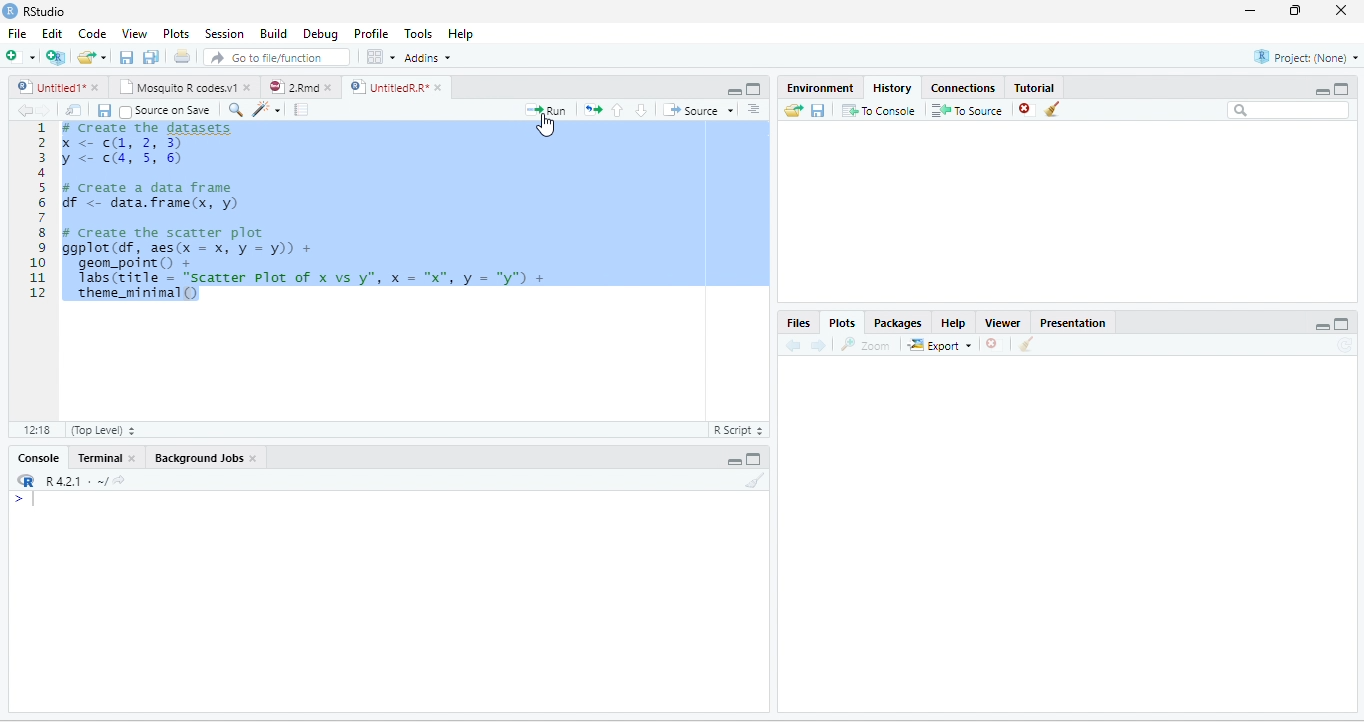  Describe the element at coordinates (740, 430) in the screenshot. I see `R Script` at that location.